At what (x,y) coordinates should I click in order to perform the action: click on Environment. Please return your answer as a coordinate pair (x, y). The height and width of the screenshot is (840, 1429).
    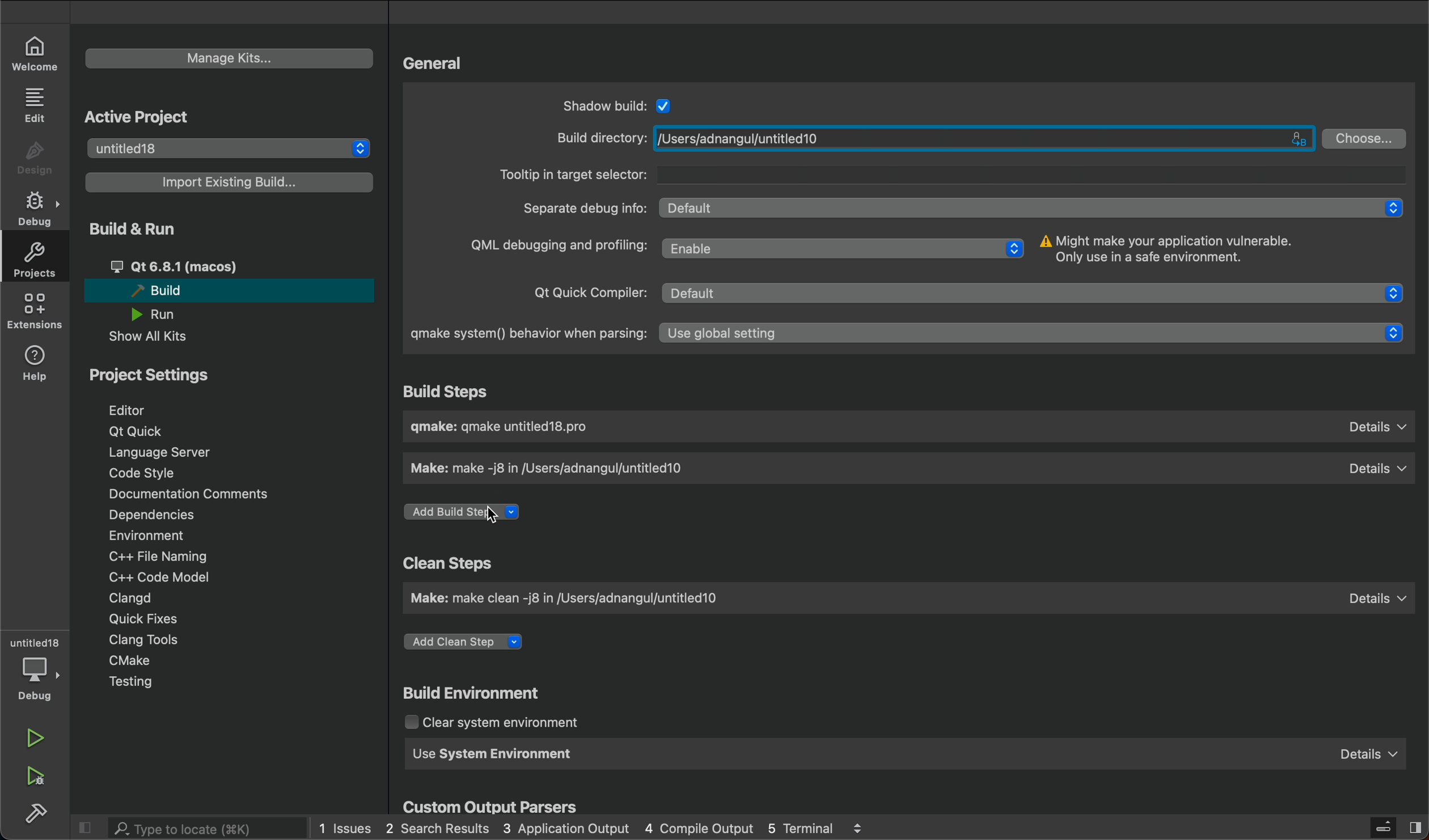
    Looking at the image, I should click on (147, 535).